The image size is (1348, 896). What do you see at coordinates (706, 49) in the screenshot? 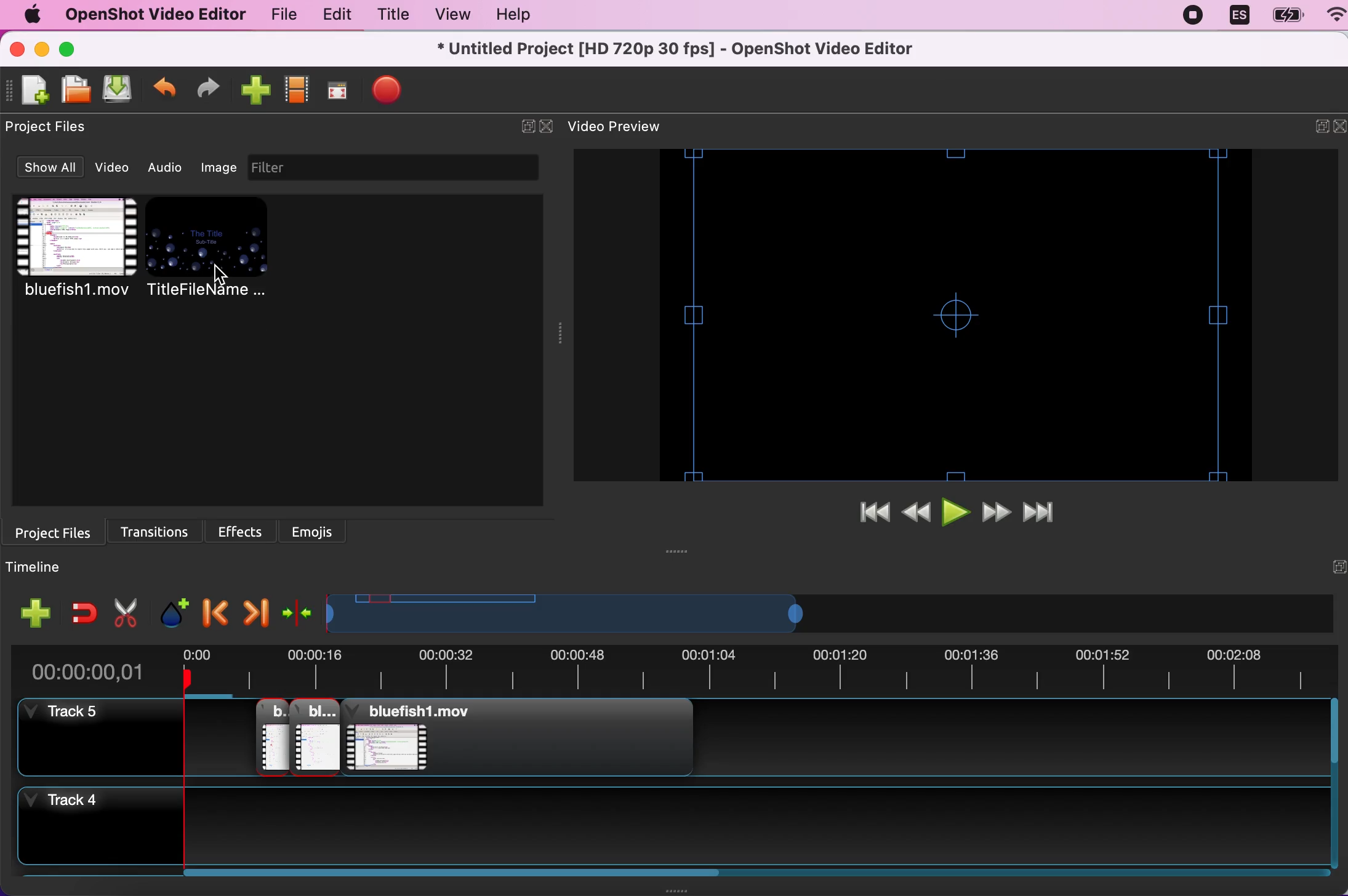
I see `* untitled project [hd 720p 30 fps] - openshot video editor` at bounding box center [706, 49].